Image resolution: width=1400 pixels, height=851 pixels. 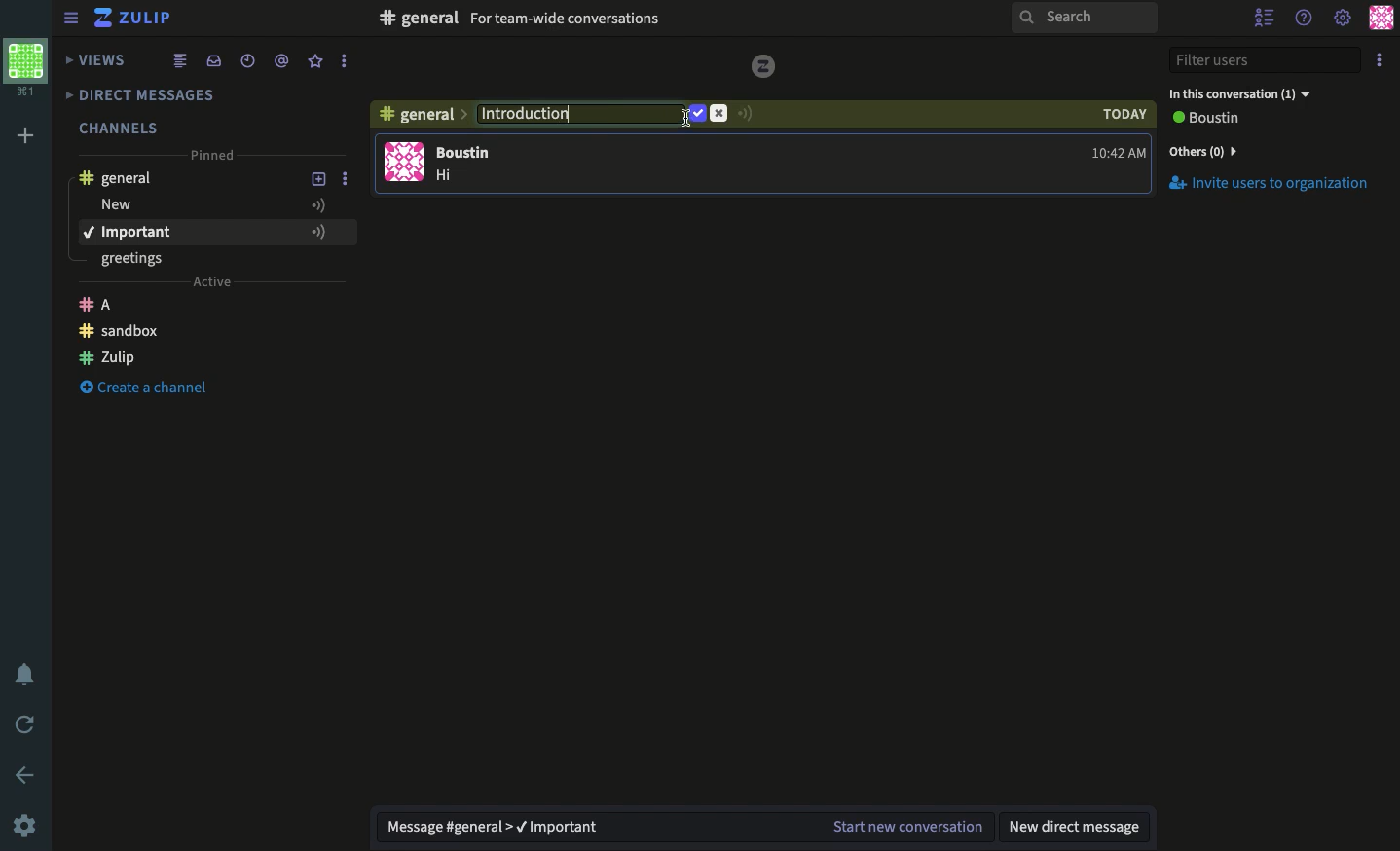 What do you see at coordinates (1271, 150) in the screenshot?
I see `Invites users to organization` at bounding box center [1271, 150].